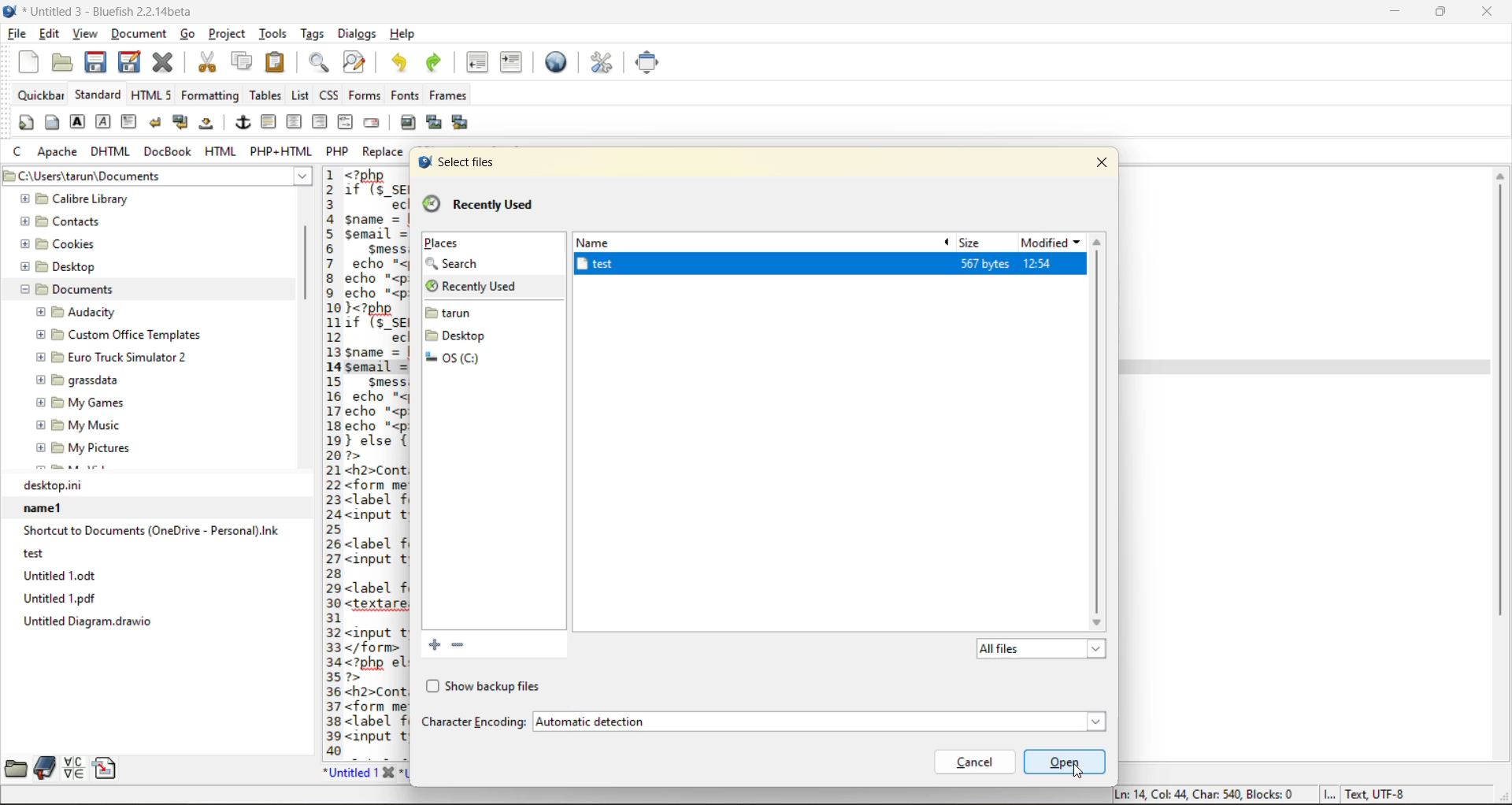 The image size is (1512, 805). Describe the element at coordinates (59, 153) in the screenshot. I see `apache` at that location.